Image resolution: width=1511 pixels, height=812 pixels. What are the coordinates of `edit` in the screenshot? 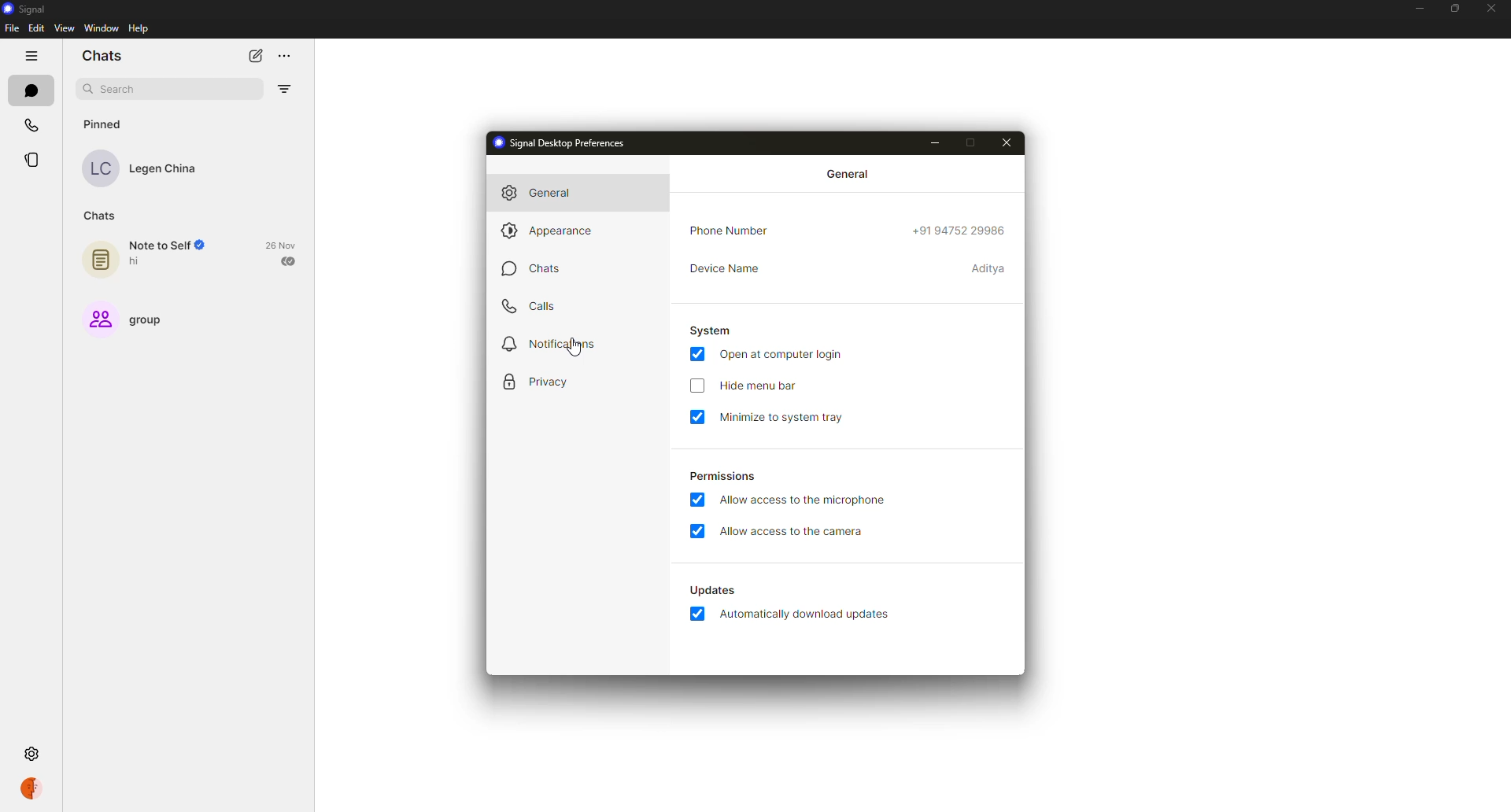 It's located at (38, 28).